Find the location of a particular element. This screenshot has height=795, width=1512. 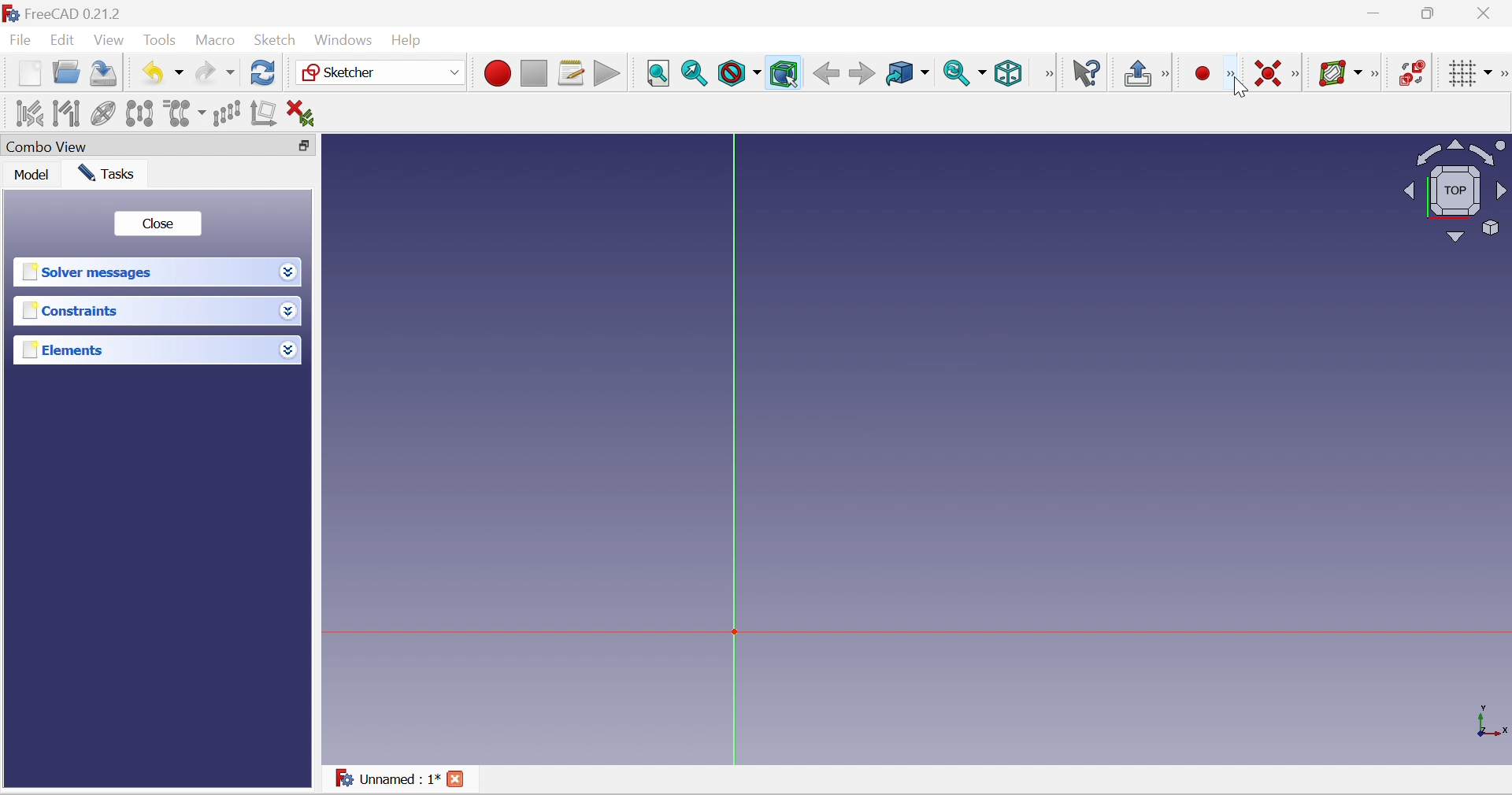

Select associated constraints is located at coordinates (29, 113).